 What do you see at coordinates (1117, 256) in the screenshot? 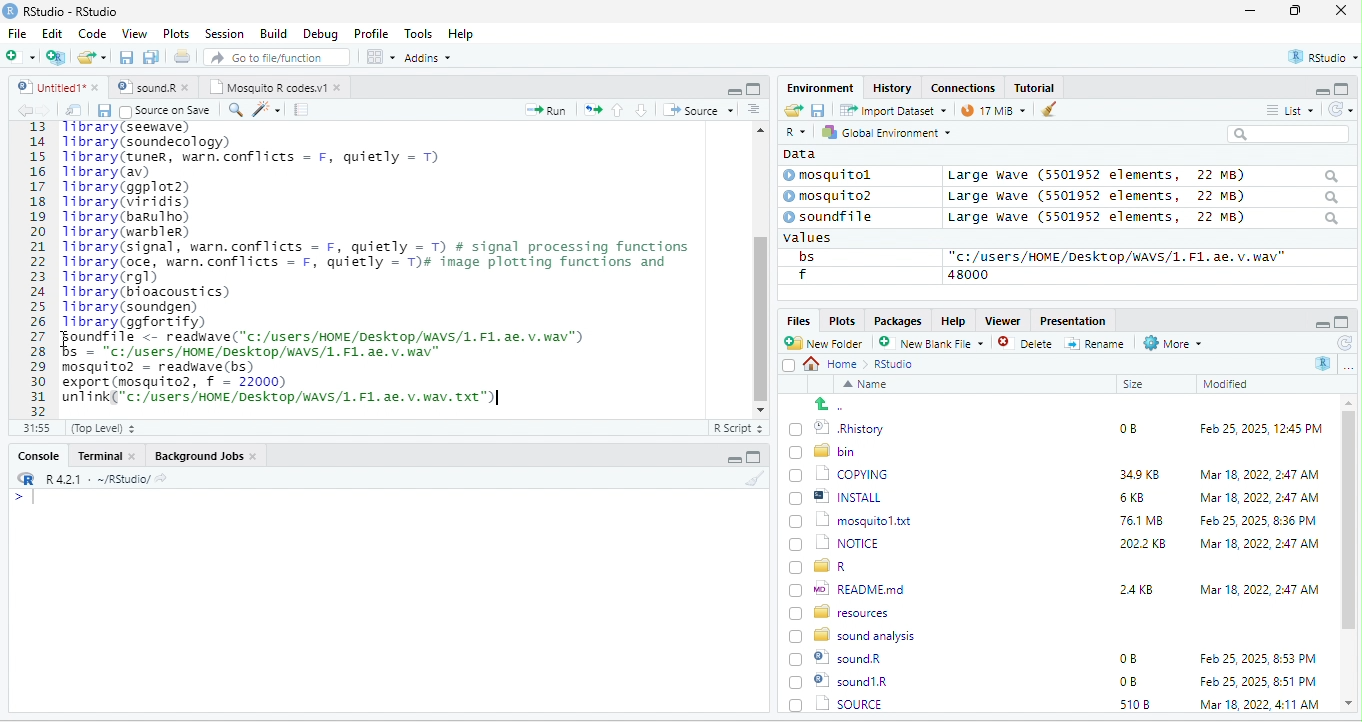
I see `“c:/users/HOME /Desktop/WAVS/1.F1. ae. v.wav"` at bounding box center [1117, 256].